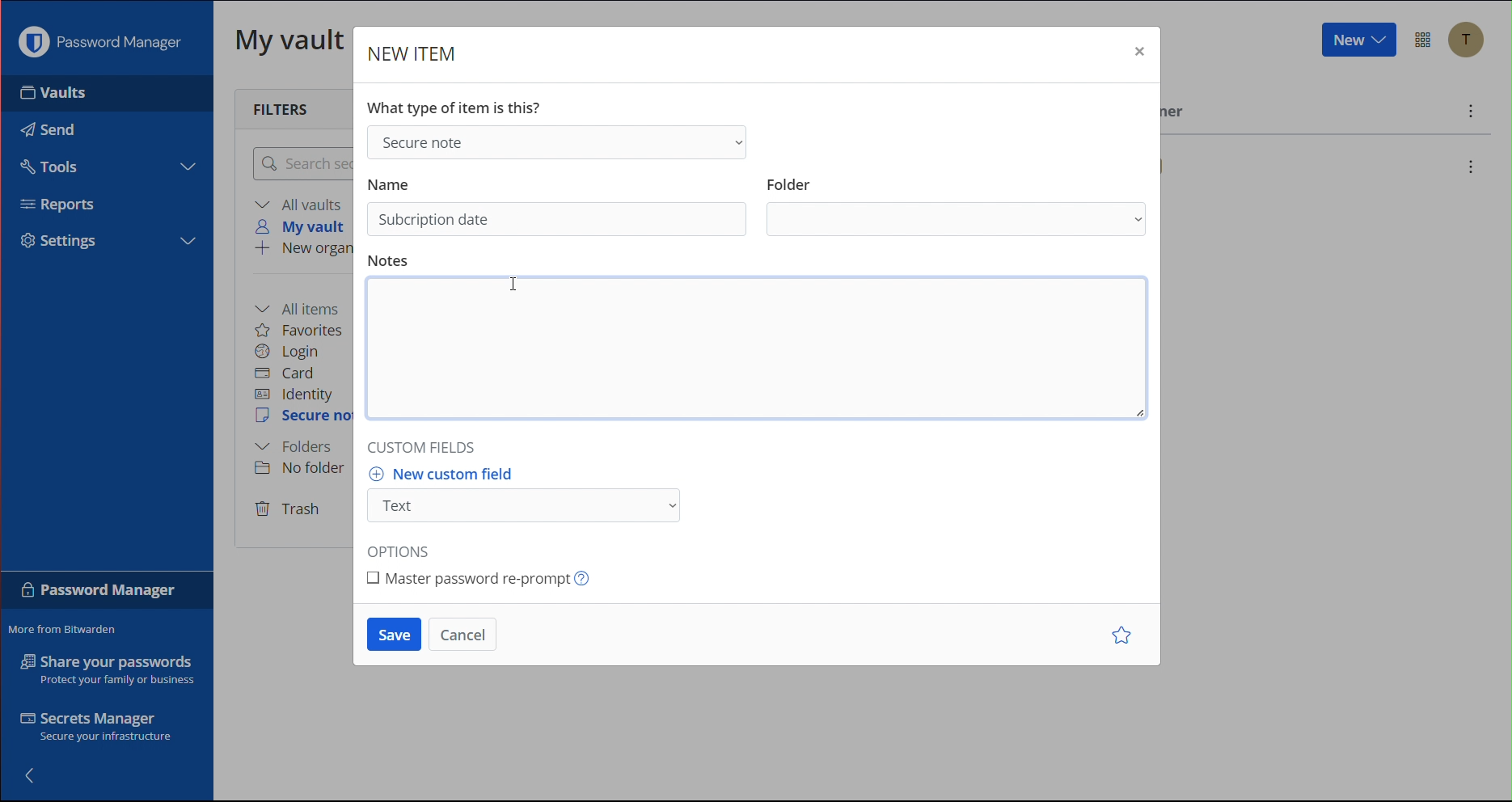 The height and width of the screenshot is (802, 1512). What do you see at coordinates (300, 330) in the screenshot?
I see `Favorites` at bounding box center [300, 330].